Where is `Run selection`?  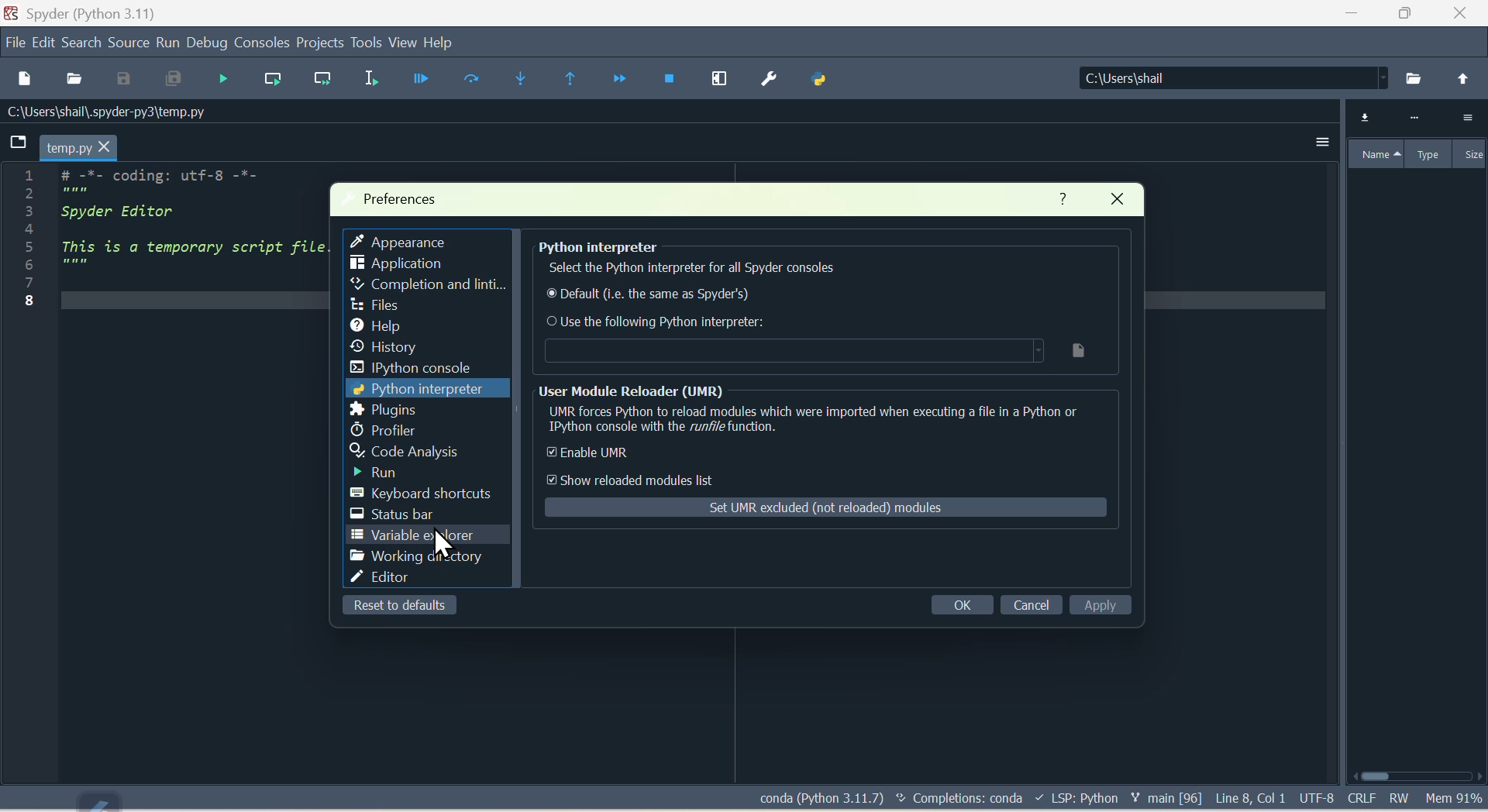 Run selection is located at coordinates (367, 80).